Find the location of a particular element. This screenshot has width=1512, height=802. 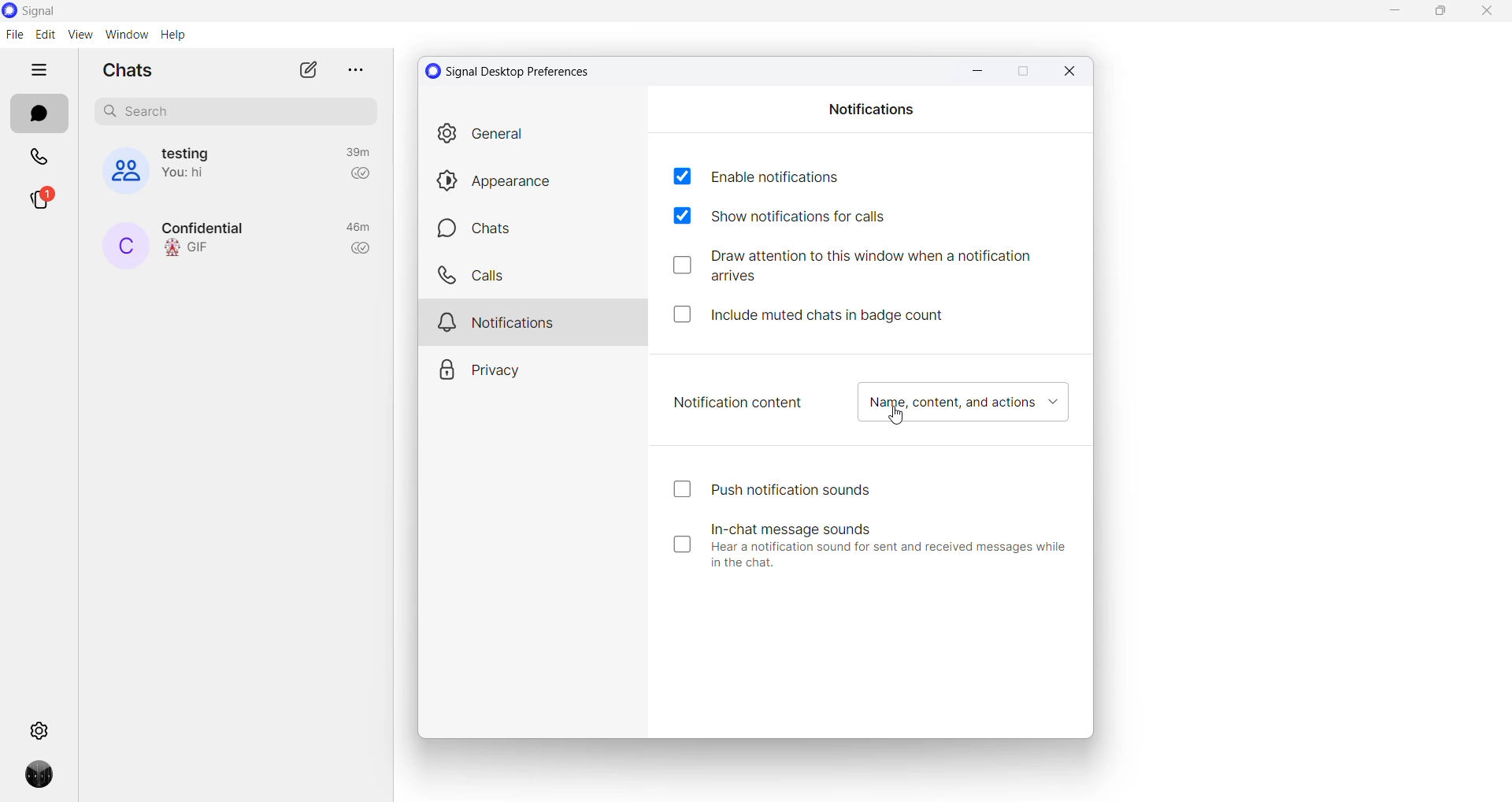

maximize is located at coordinates (1440, 14).